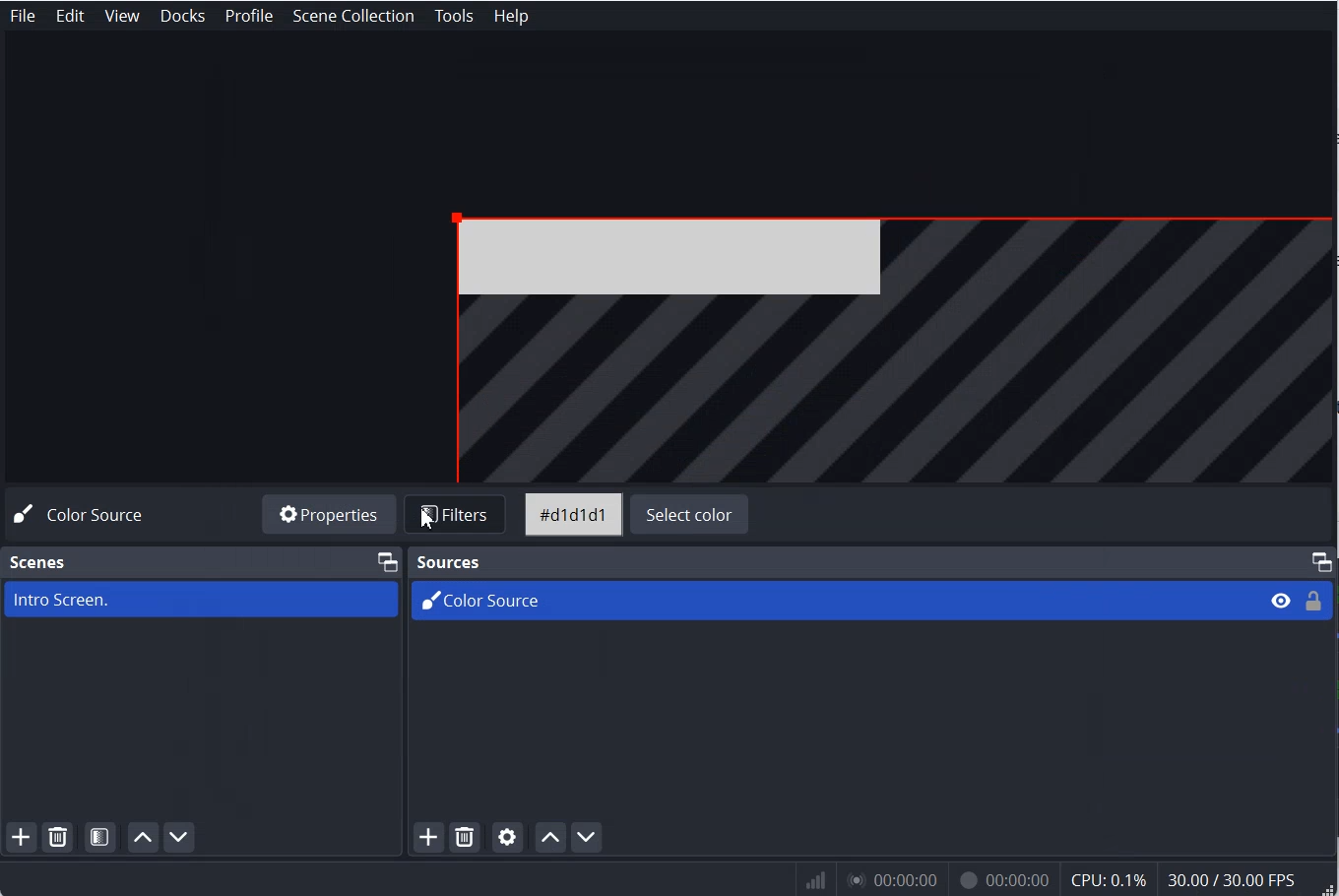 The image size is (1339, 896). I want to click on Maximize, so click(387, 560).